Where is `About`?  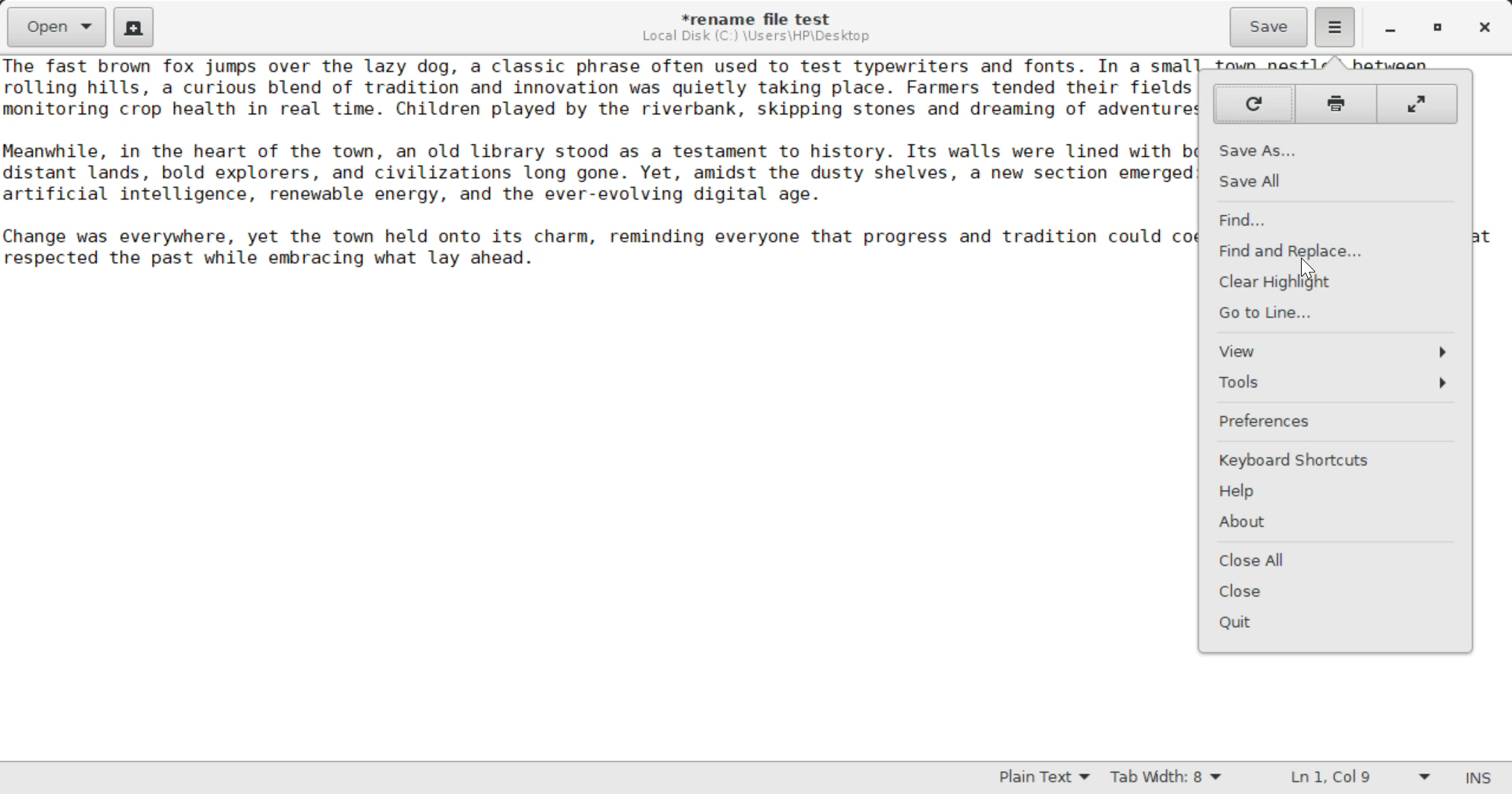 About is located at coordinates (1338, 524).